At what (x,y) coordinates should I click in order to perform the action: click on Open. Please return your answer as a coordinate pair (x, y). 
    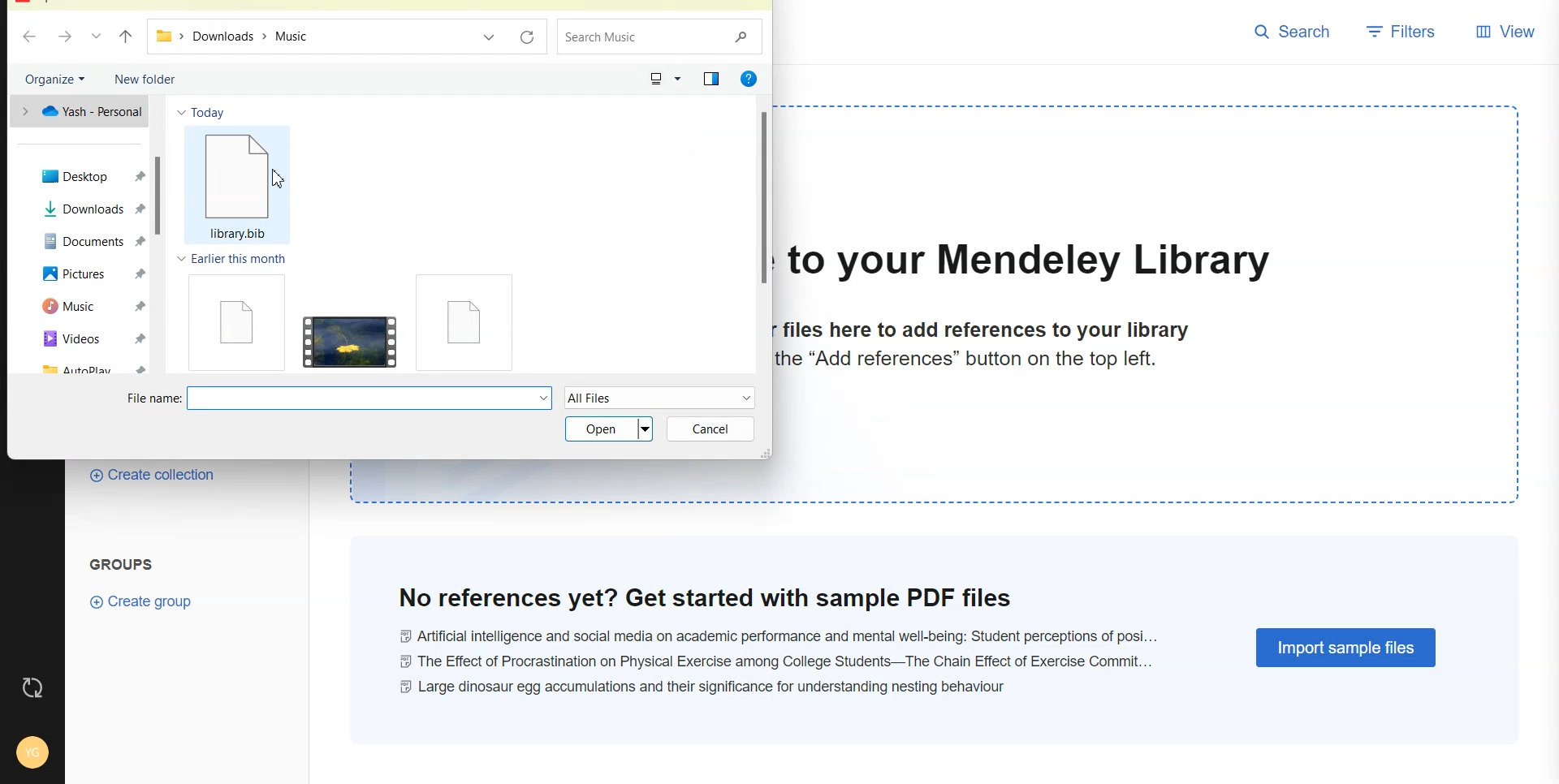
    Looking at the image, I should click on (608, 429).